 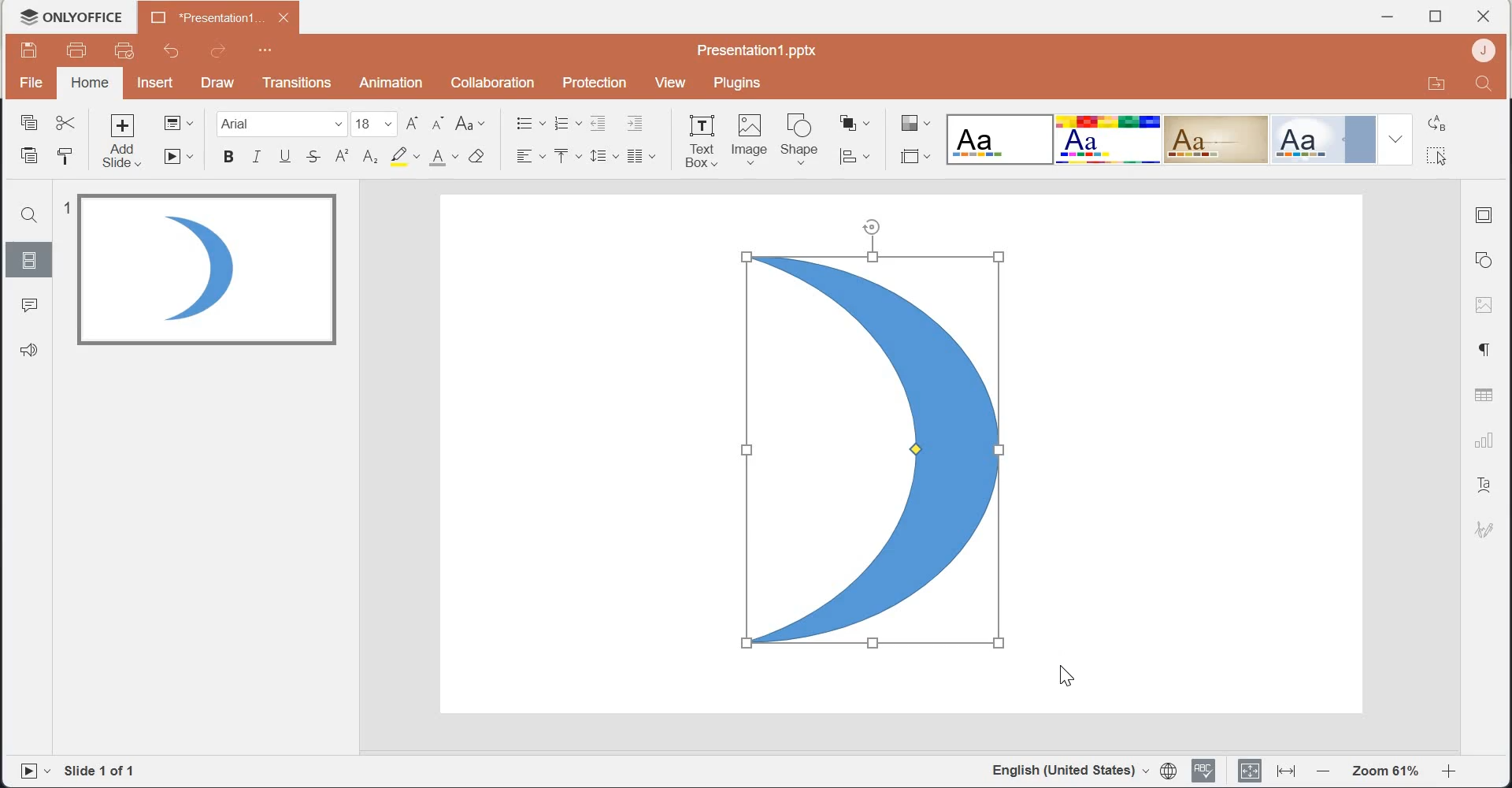 I want to click on Change case, so click(x=470, y=124).